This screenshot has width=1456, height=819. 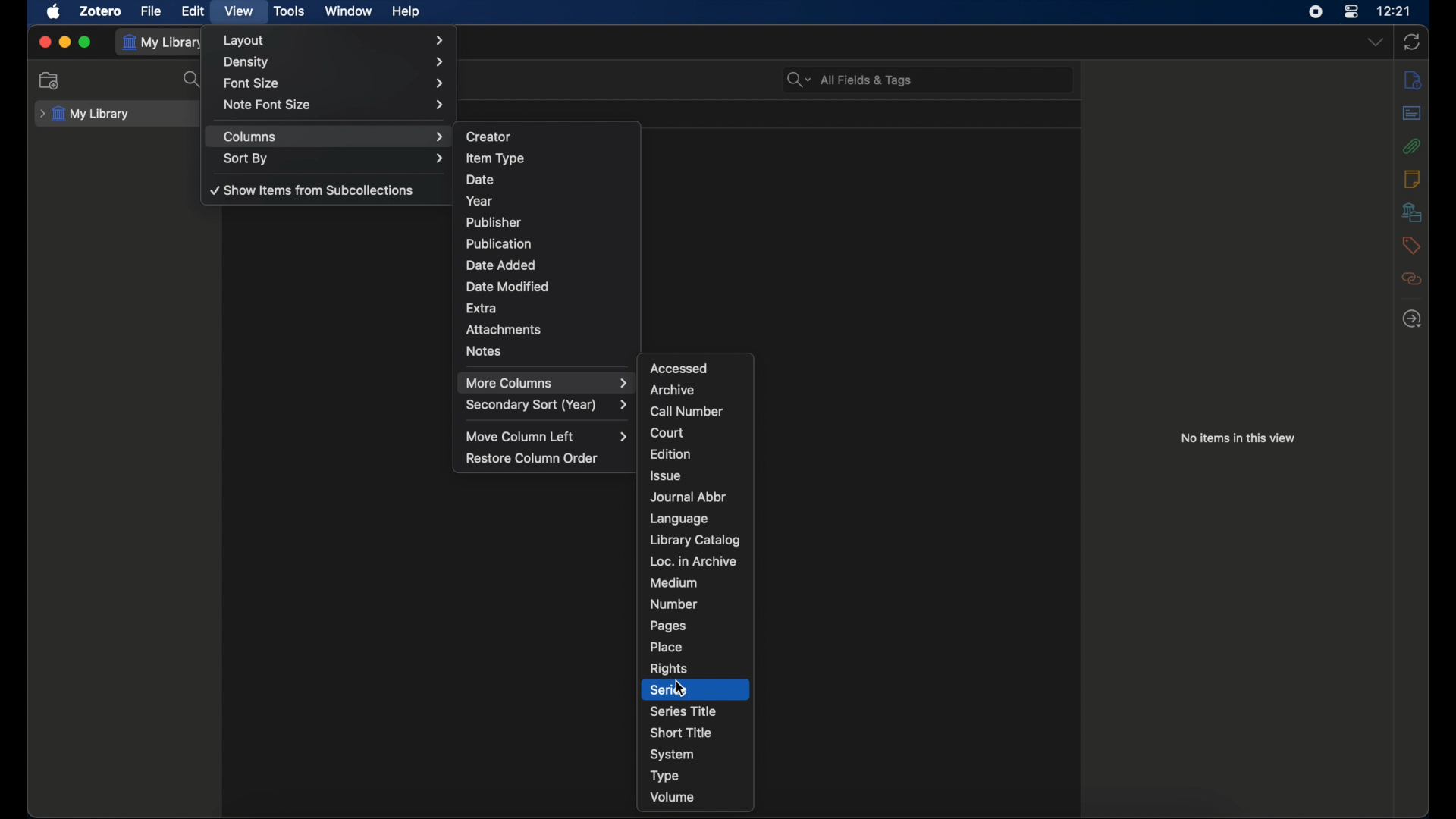 I want to click on tags, so click(x=1410, y=245).